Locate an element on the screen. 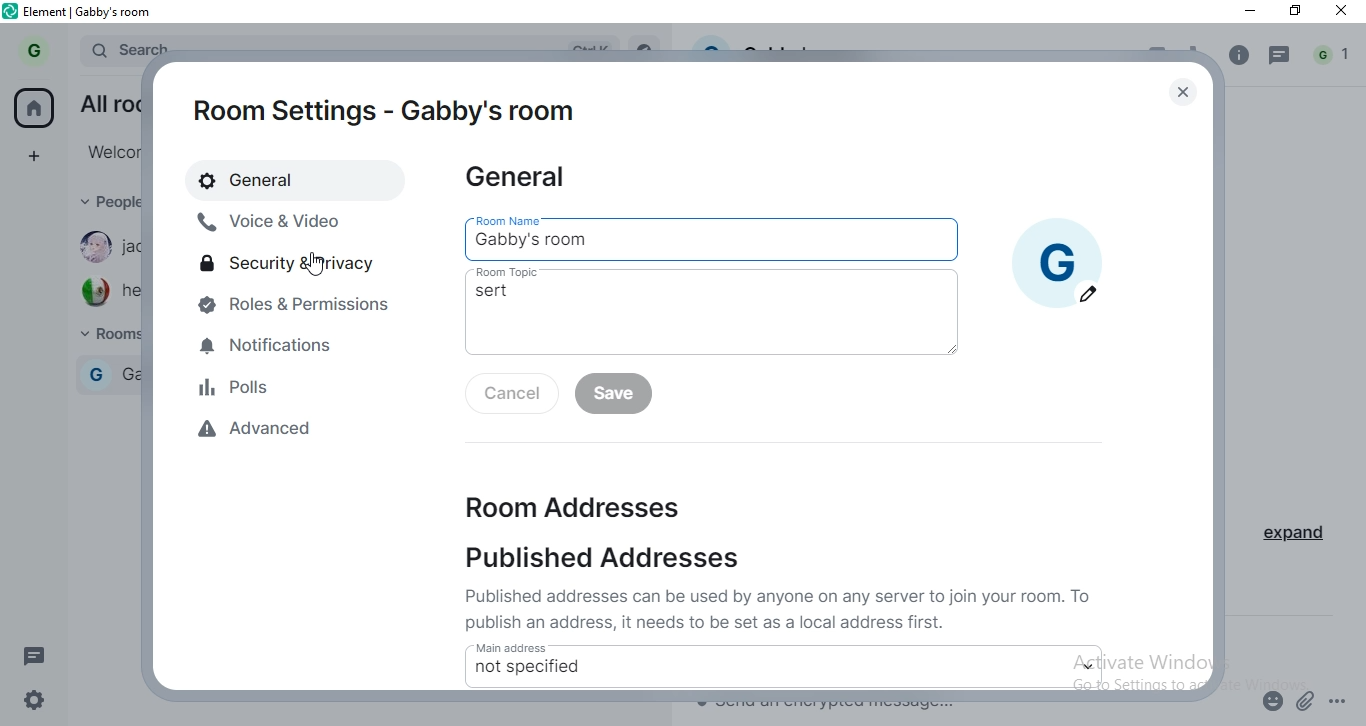 Image resolution: width=1366 pixels, height=726 pixels. gabby's room is located at coordinates (132, 374).